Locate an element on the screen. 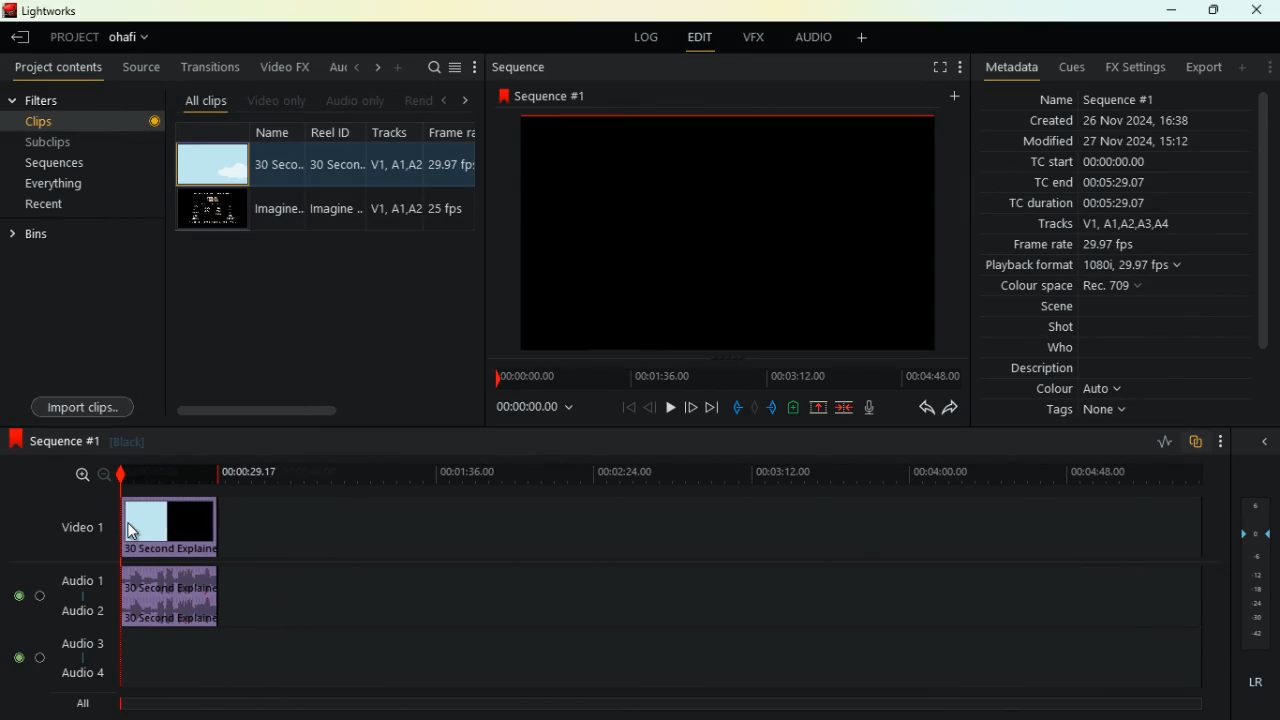 The image size is (1280, 720). name is located at coordinates (1094, 98).